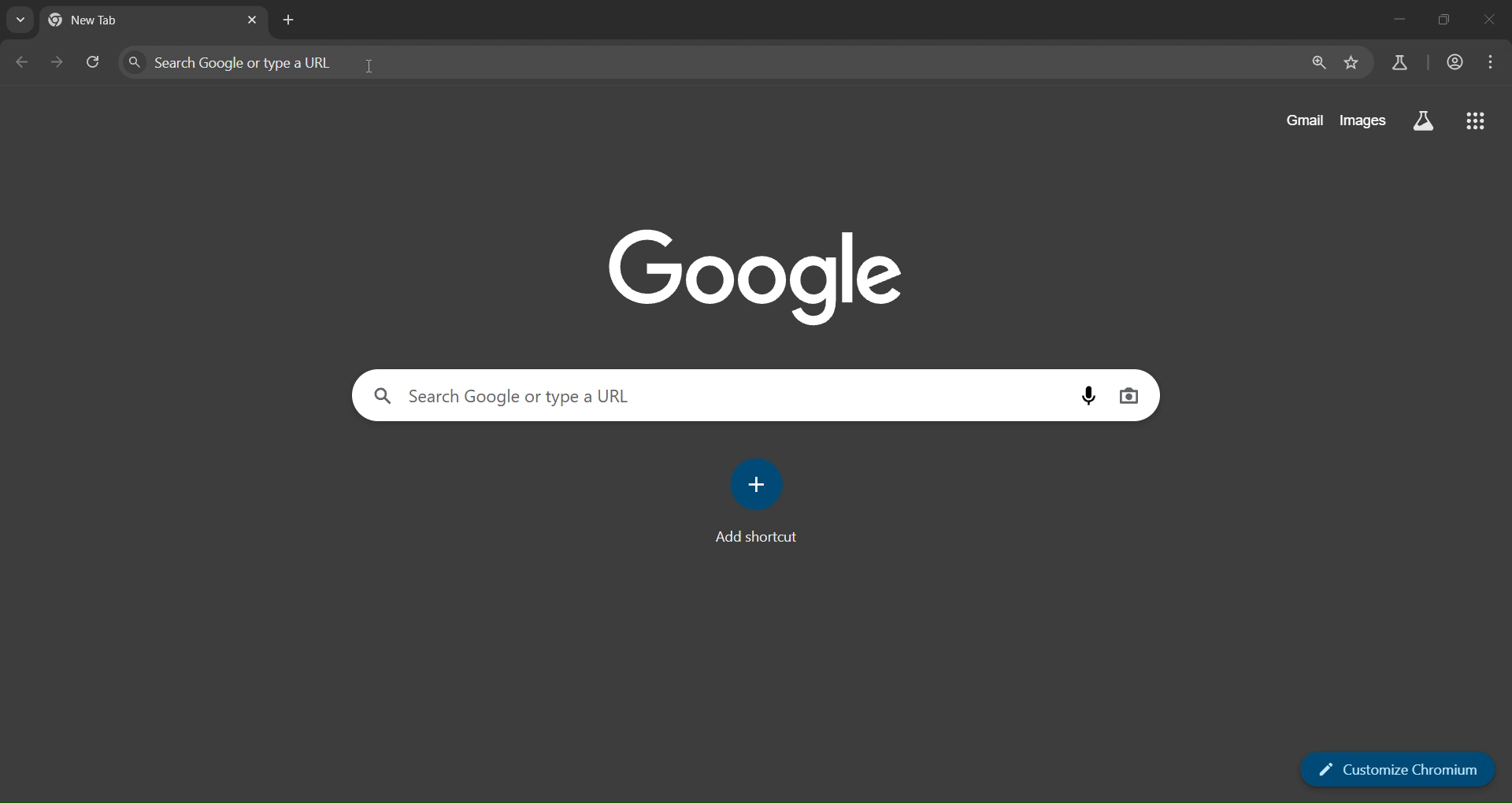  What do you see at coordinates (1492, 63) in the screenshot?
I see `menu` at bounding box center [1492, 63].